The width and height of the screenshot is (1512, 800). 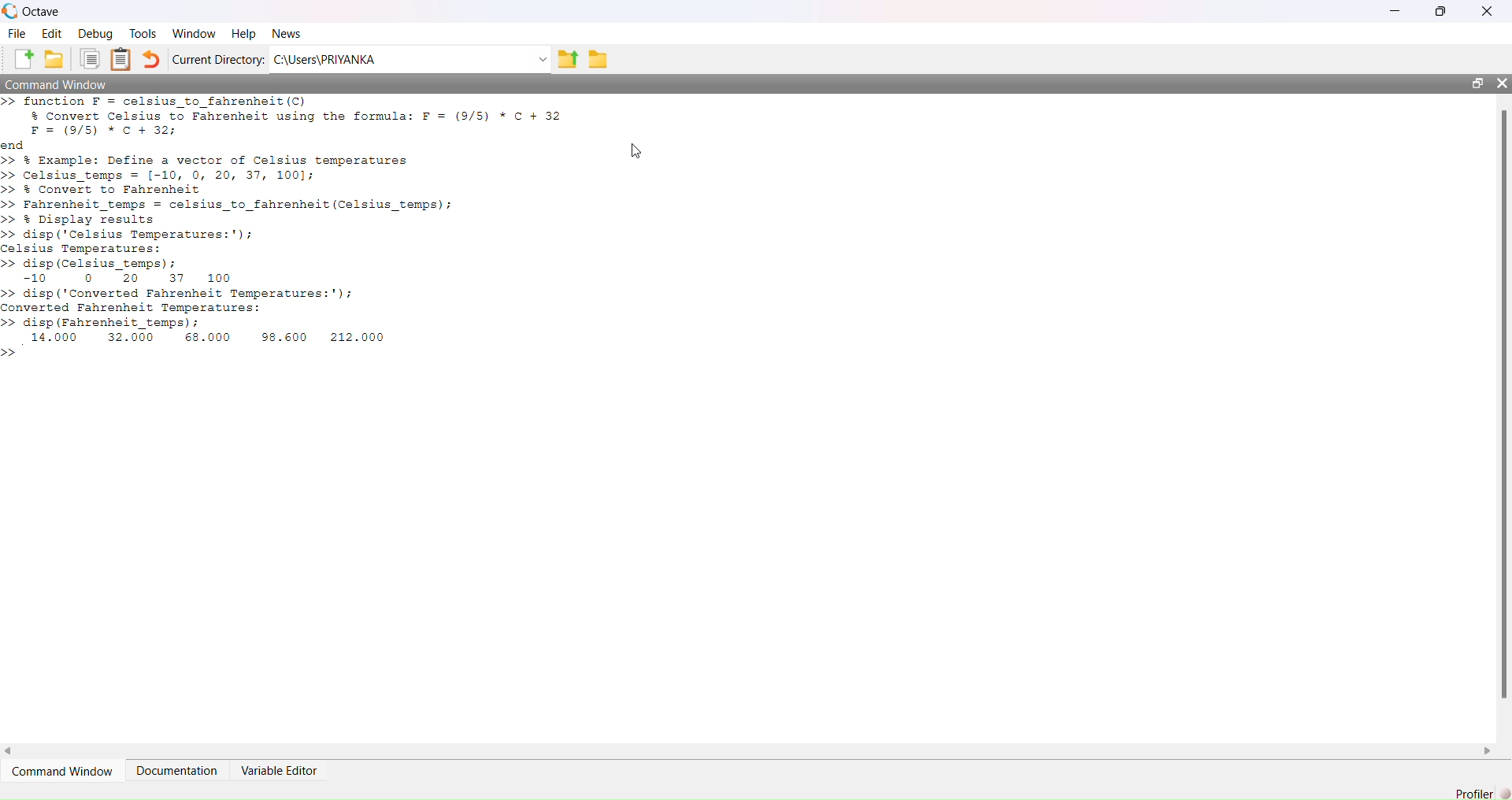 I want to click on Open an existing file in editor, so click(x=54, y=58).